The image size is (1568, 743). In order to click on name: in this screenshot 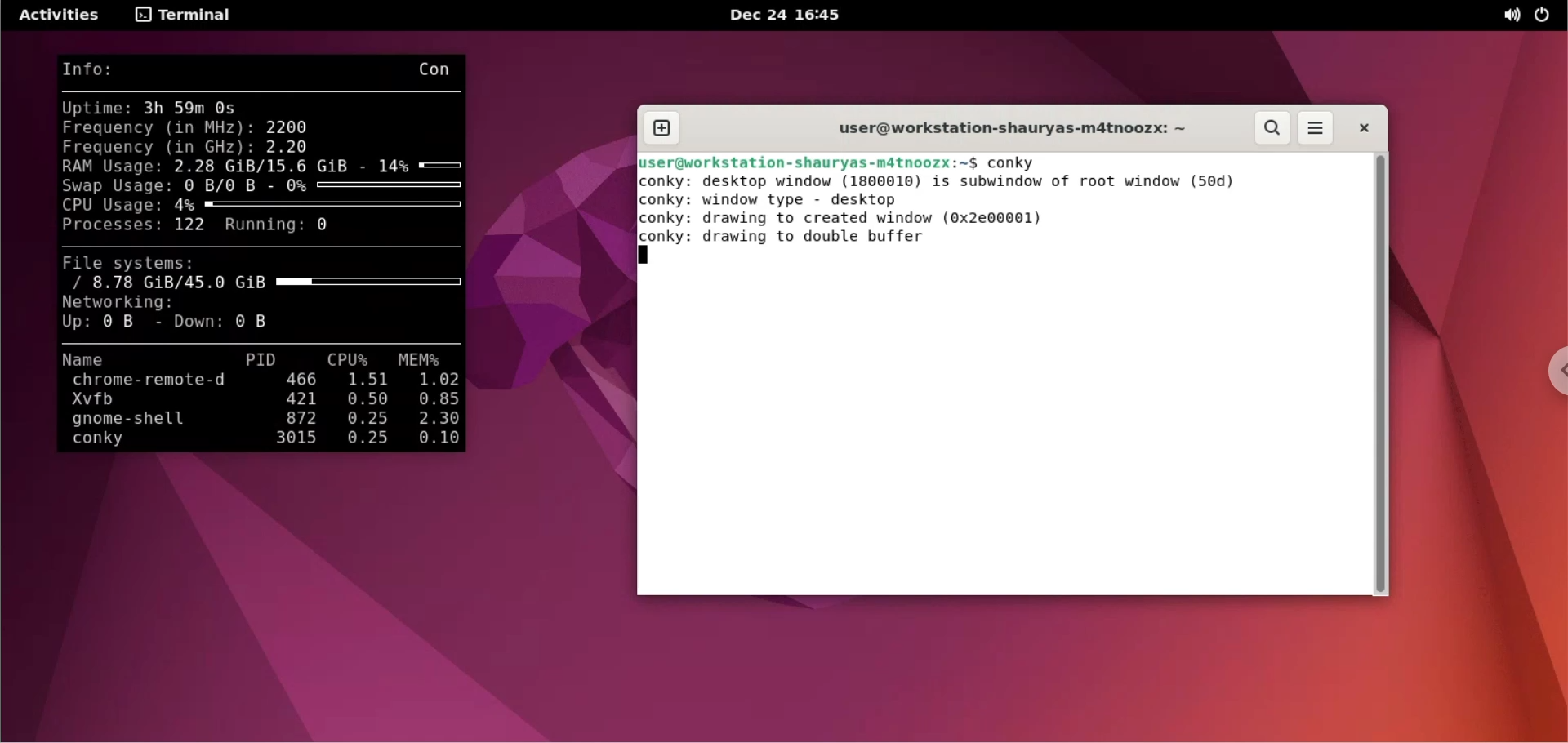, I will do `click(90, 359)`.